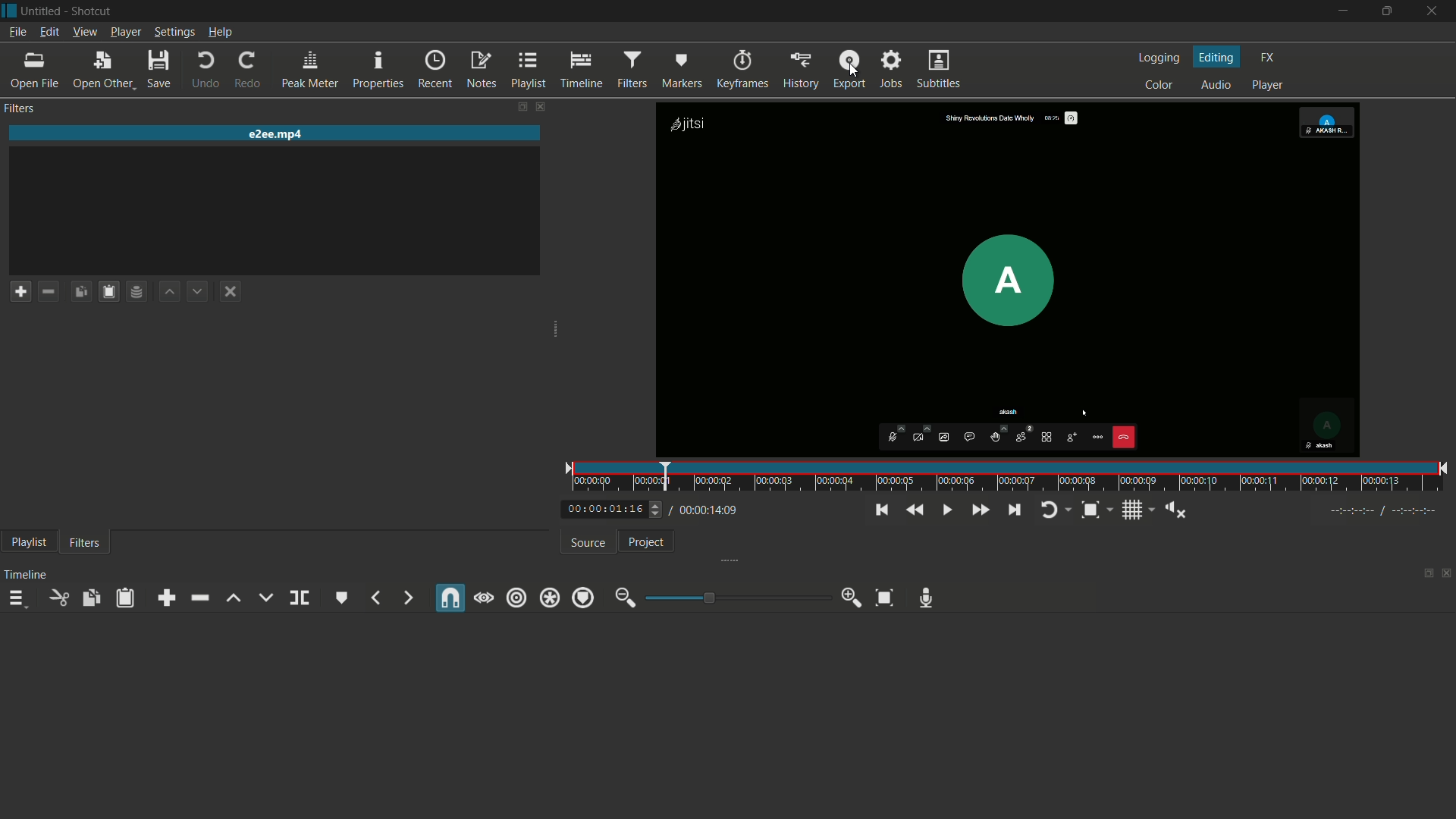  I want to click on fx, so click(1268, 58).